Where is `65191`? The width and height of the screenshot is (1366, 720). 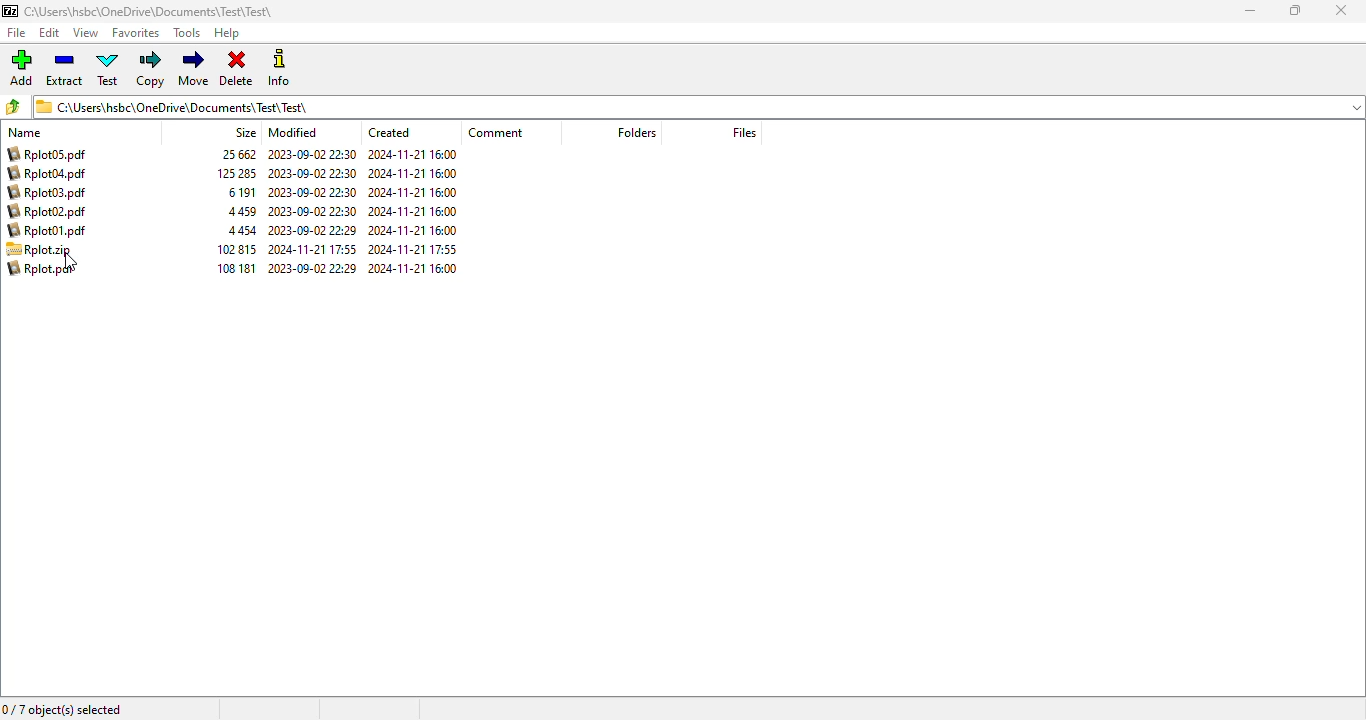 65191 is located at coordinates (244, 192).